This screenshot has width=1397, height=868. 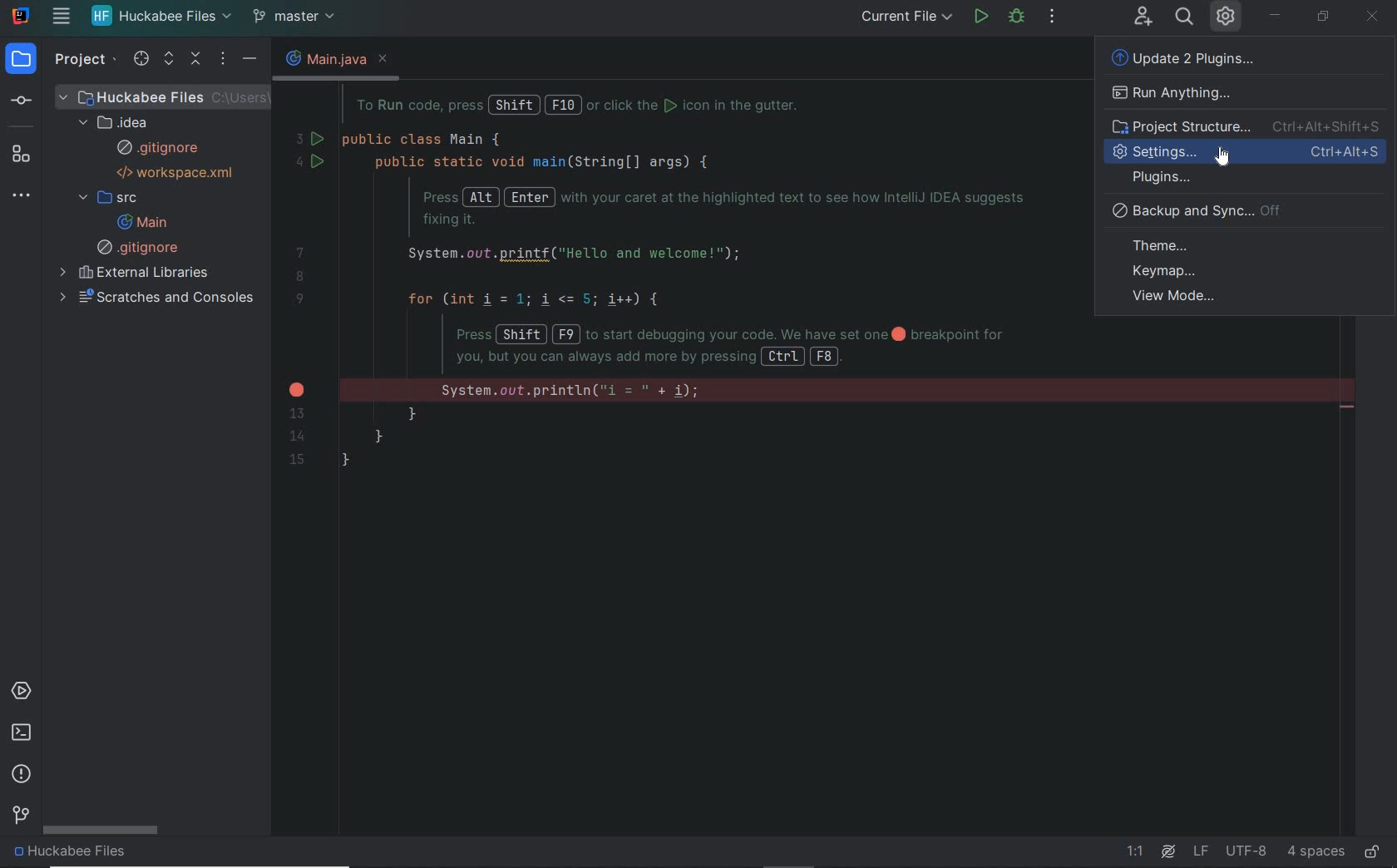 What do you see at coordinates (27, 154) in the screenshot?
I see `structure` at bounding box center [27, 154].